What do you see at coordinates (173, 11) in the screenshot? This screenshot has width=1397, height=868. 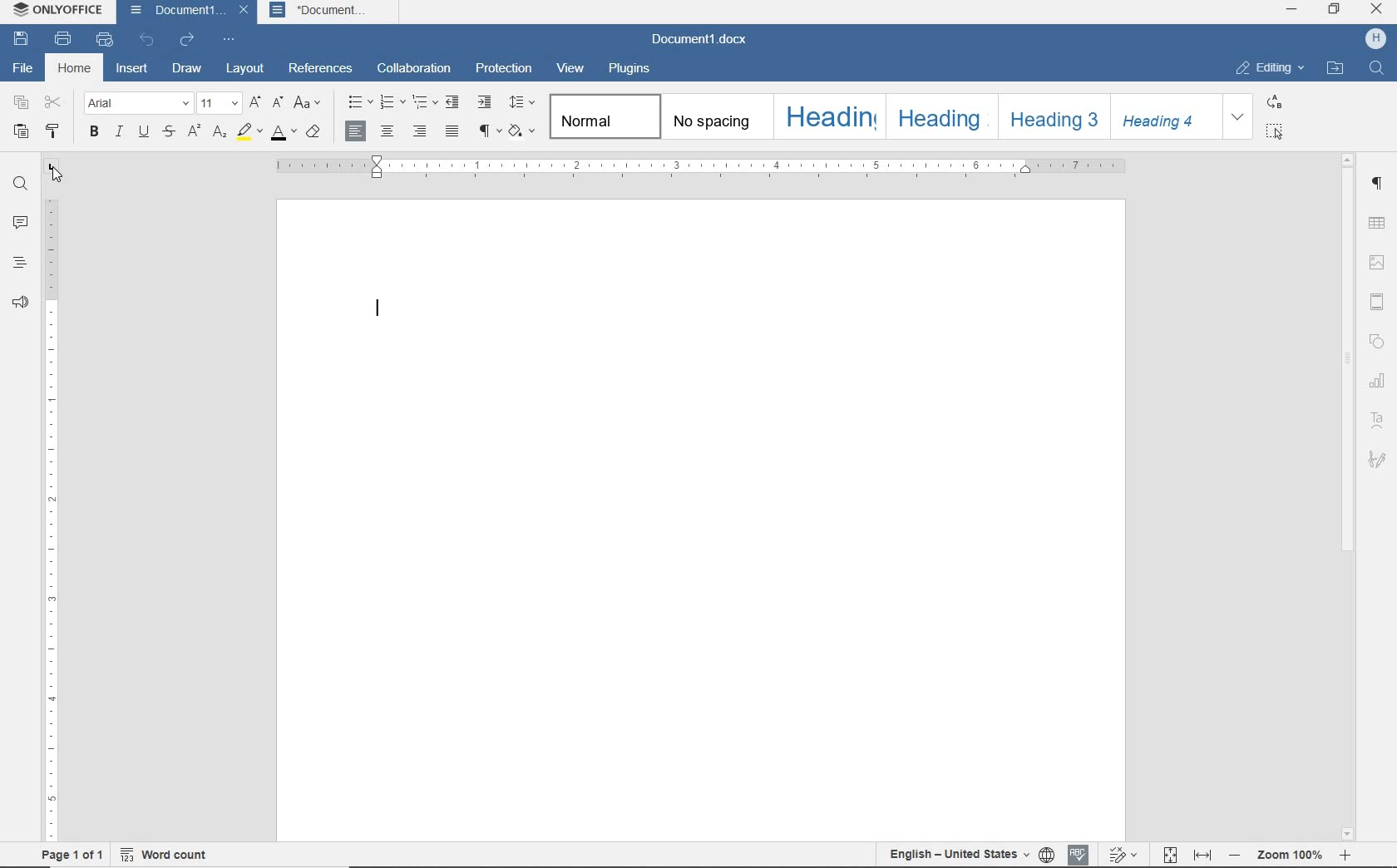 I see `DOCUMENT1..` at bounding box center [173, 11].